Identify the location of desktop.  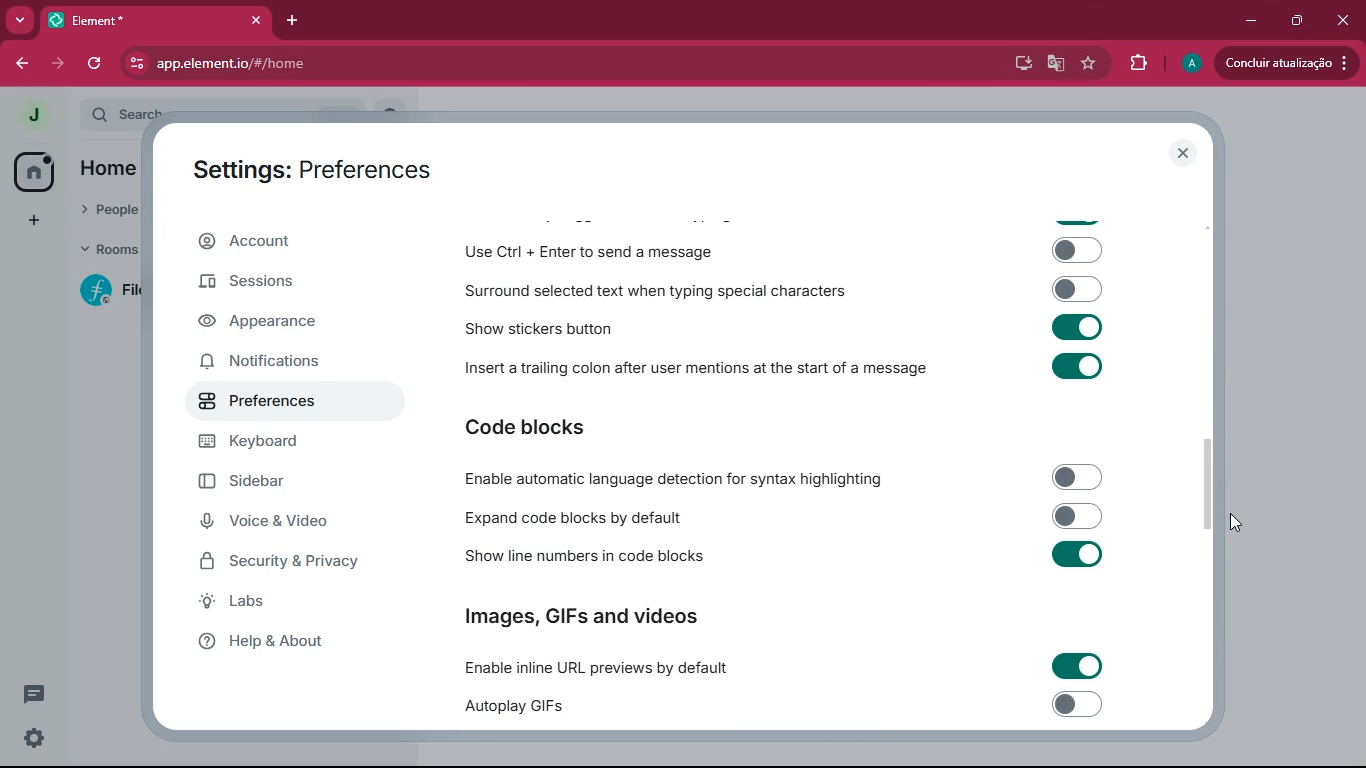
(1017, 64).